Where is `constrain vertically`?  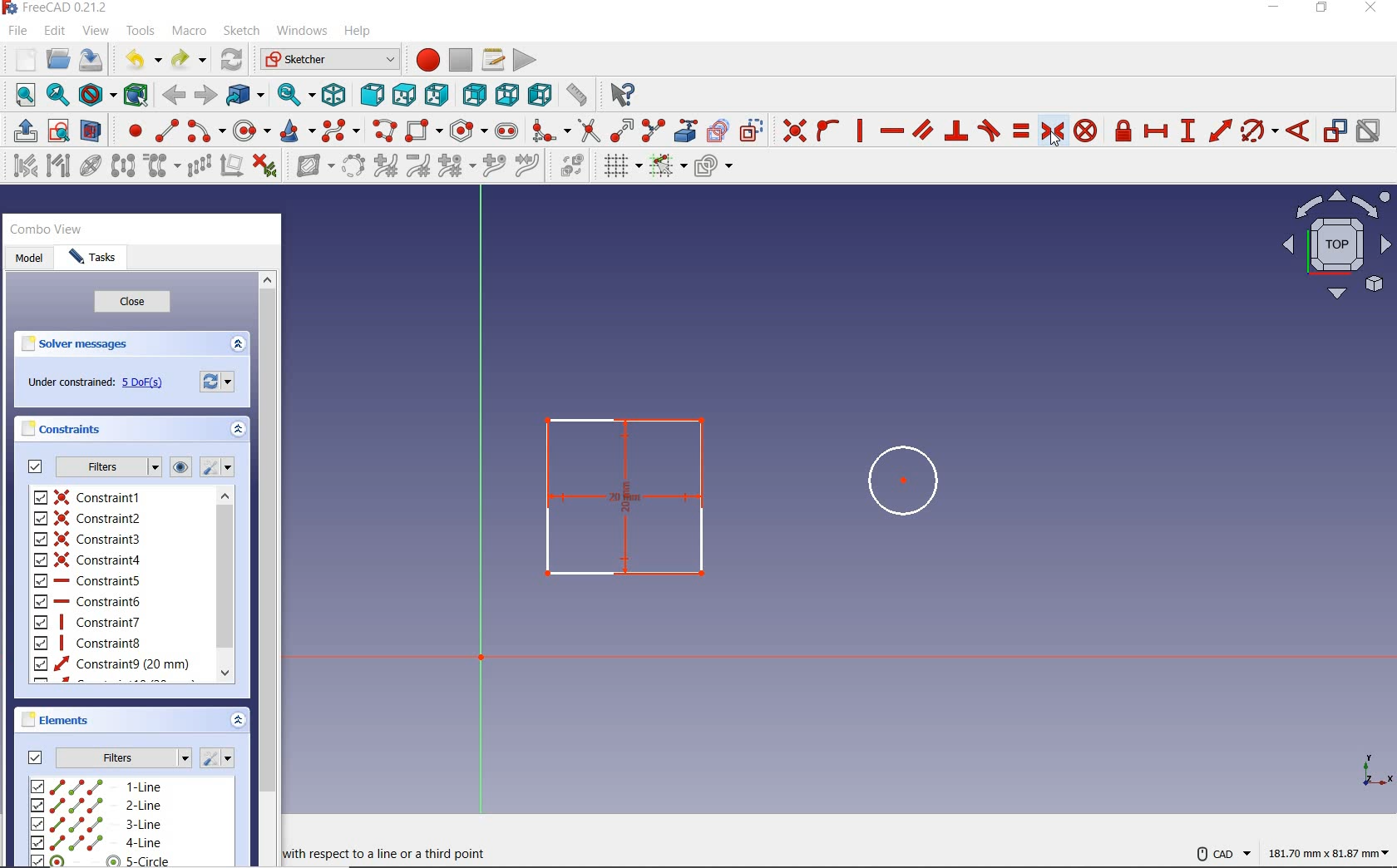 constrain vertically is located at coordinates (861, 132).